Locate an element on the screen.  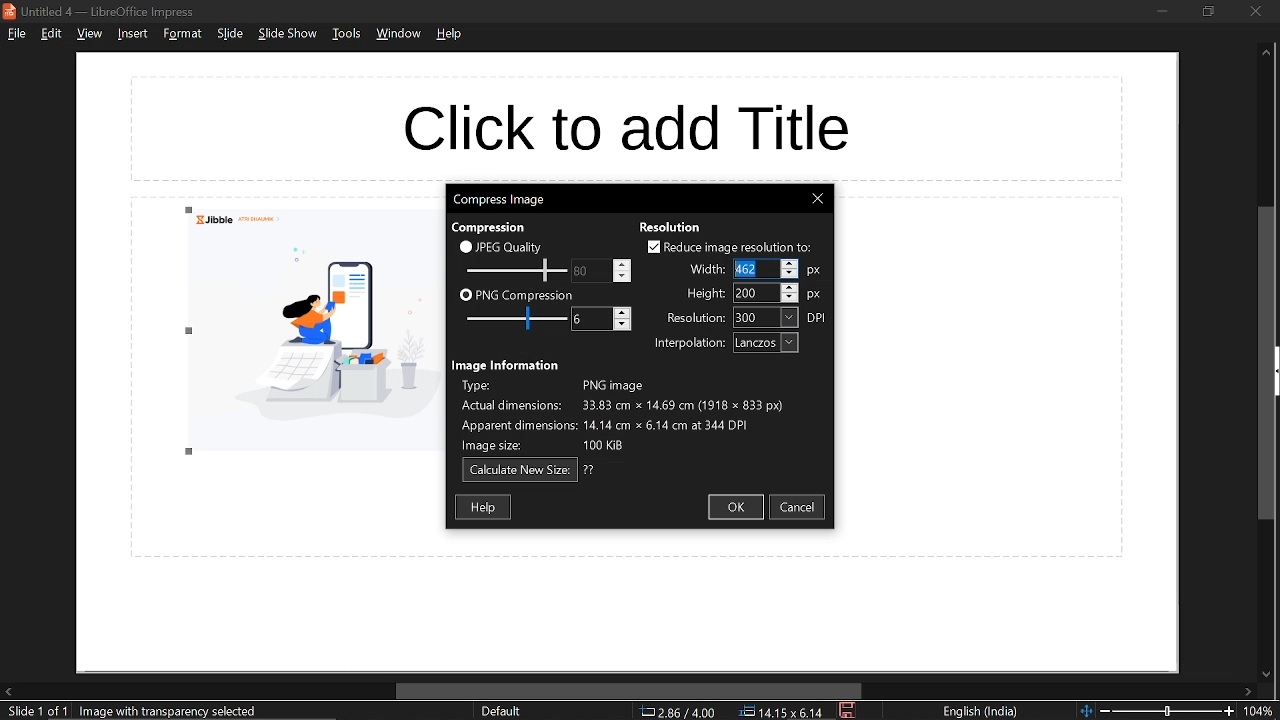
slide style is located at coordinates (501, 711).